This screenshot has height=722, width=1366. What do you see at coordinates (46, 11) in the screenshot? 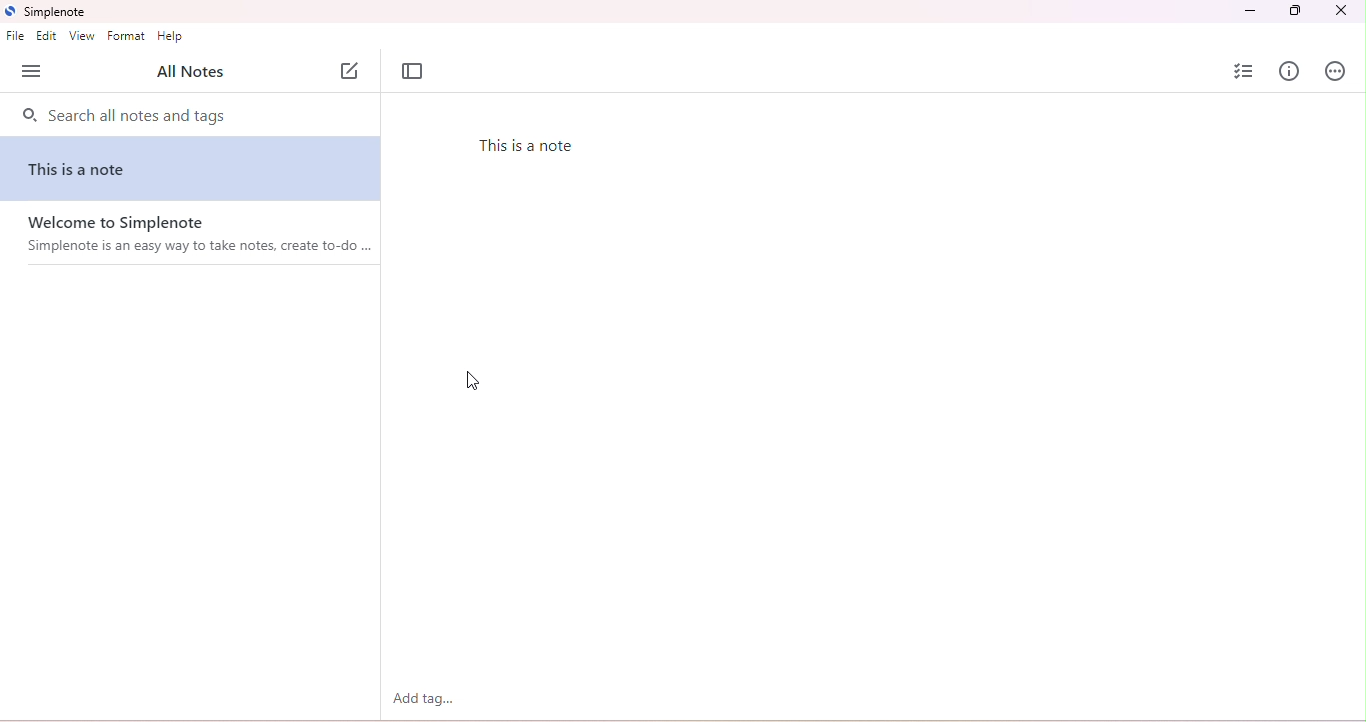
I see `simplenote` at bounding box center [46, 11].